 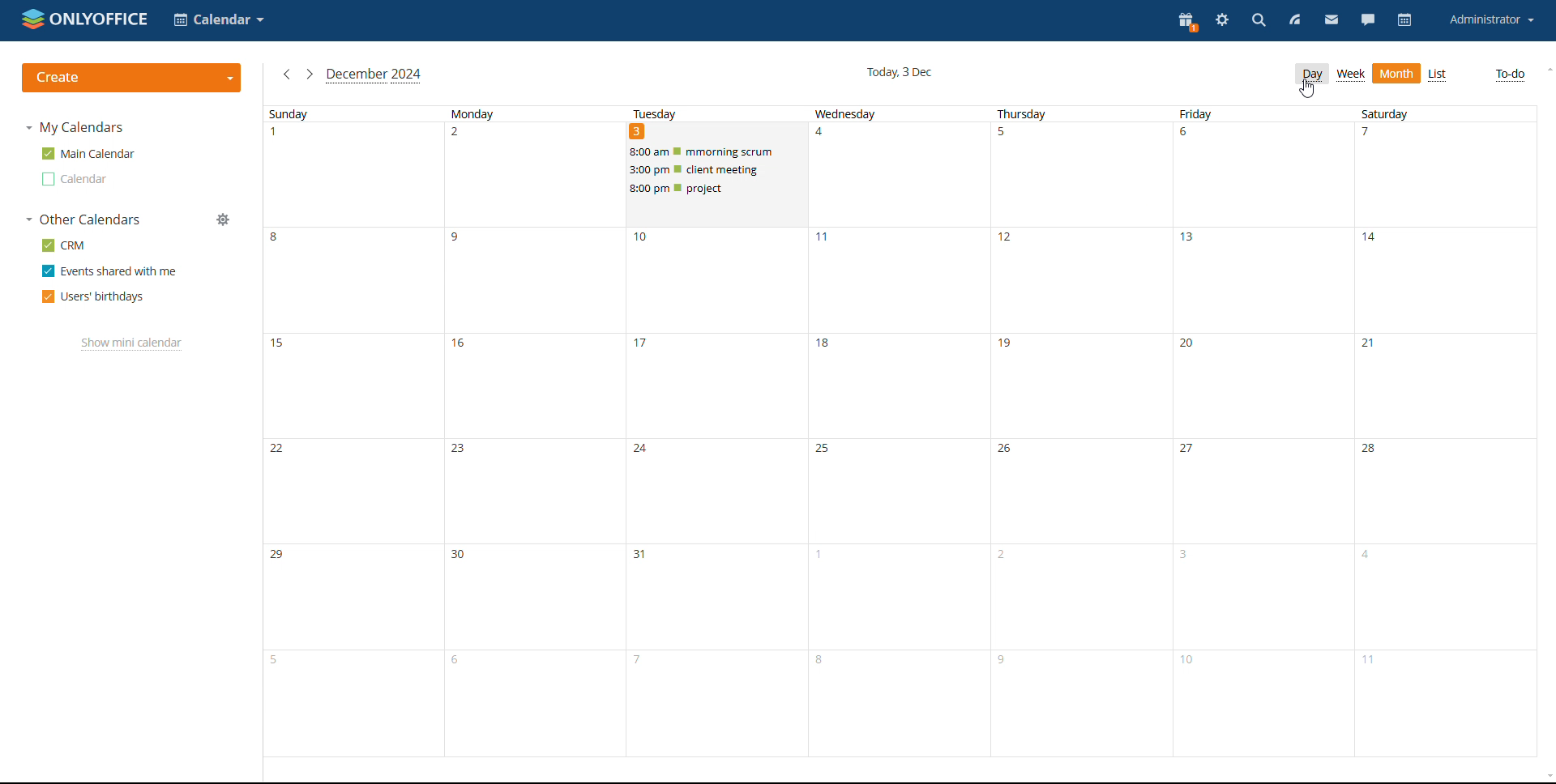 I want to click on calendar, so click(x=74, y=178).